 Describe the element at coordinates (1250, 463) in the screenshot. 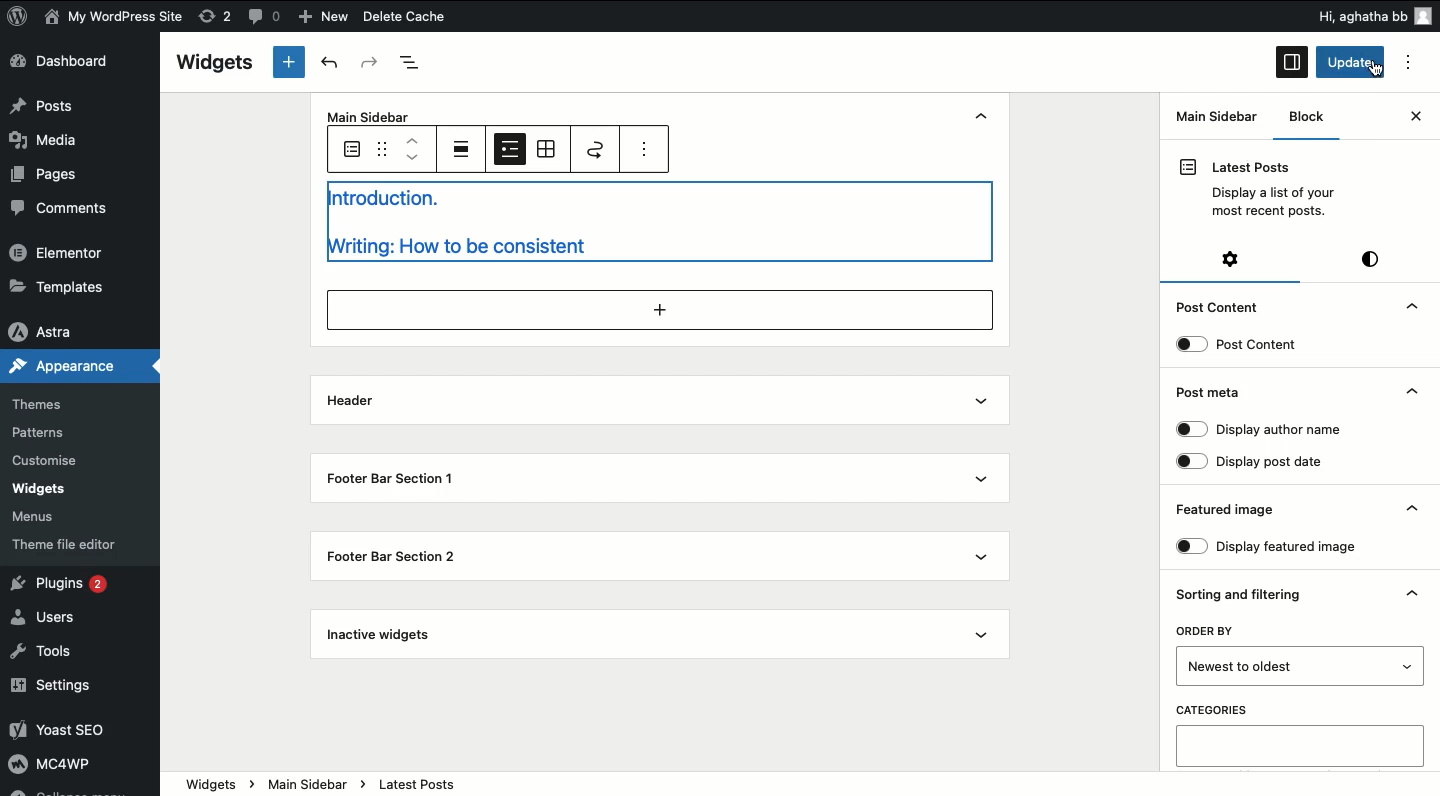

I see `Display post date` at that location.